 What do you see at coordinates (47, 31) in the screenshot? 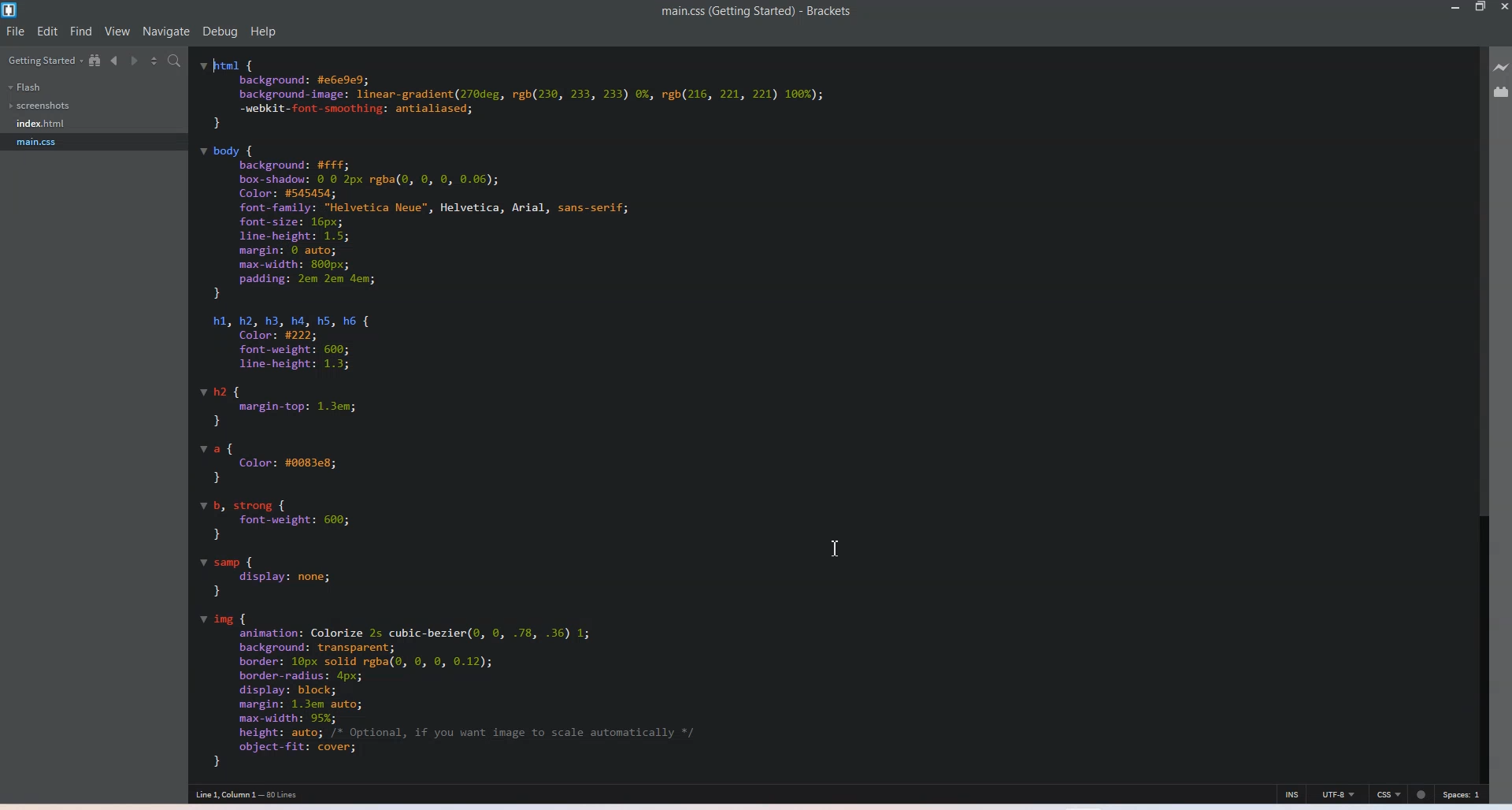
I see `Edit` at bounding box center [47, 31].